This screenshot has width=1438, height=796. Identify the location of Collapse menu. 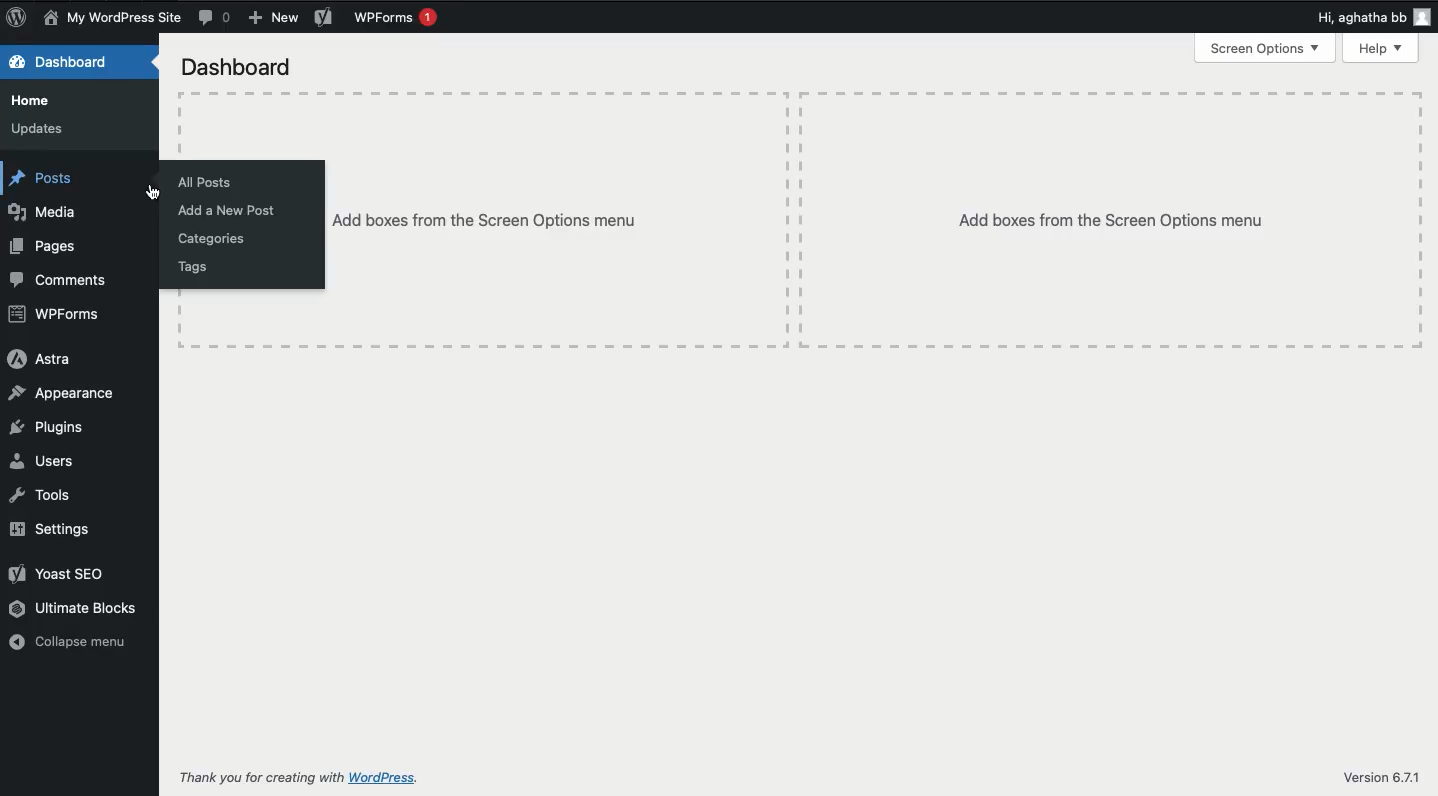
(72, 641).